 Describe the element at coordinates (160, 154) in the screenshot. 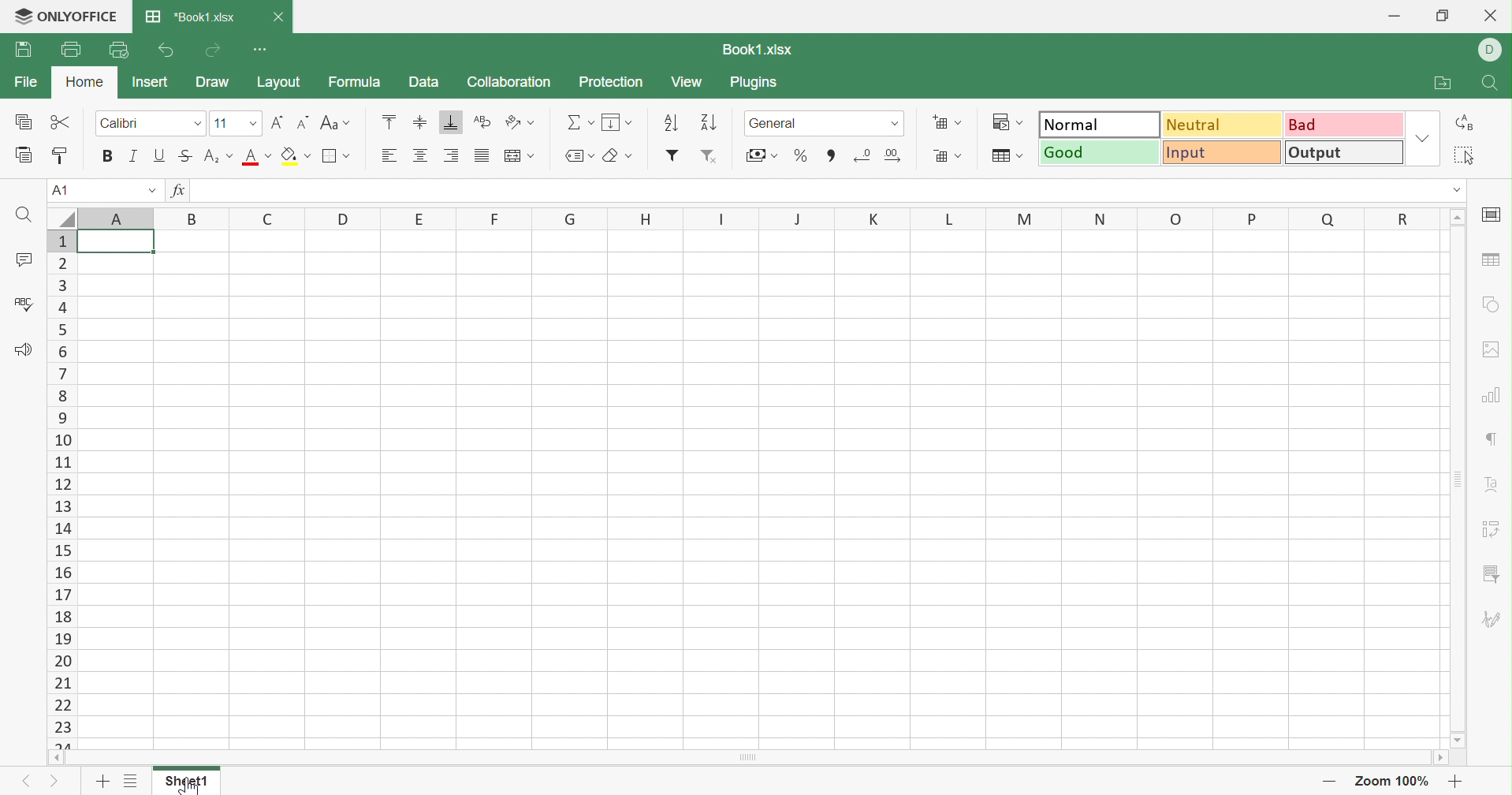

I see `Underline` at that location.